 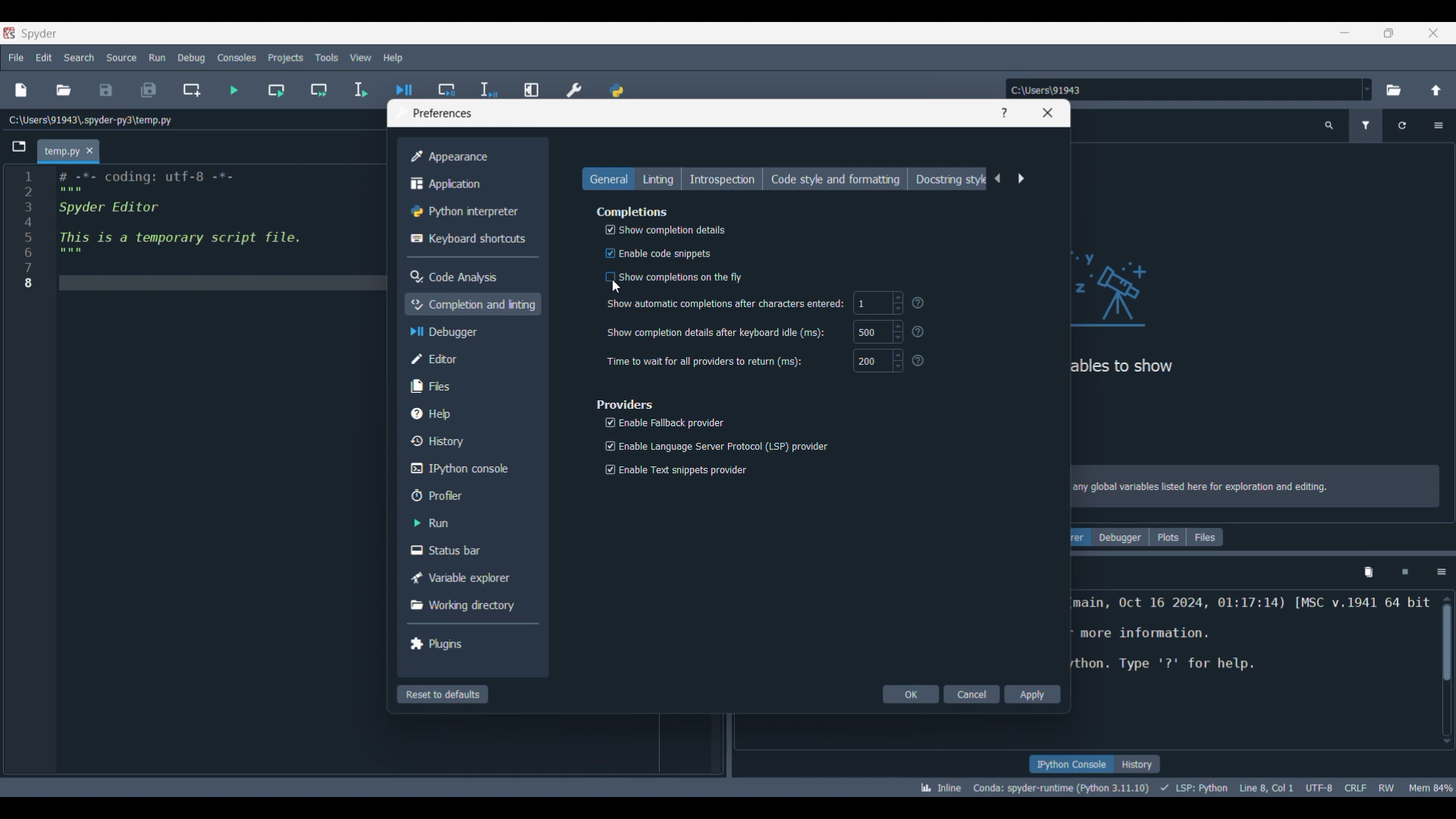 What do you see at coordinates (1367, 126) in the screenshot?
I see `Filter variables` at bounding box center [1367, 126].